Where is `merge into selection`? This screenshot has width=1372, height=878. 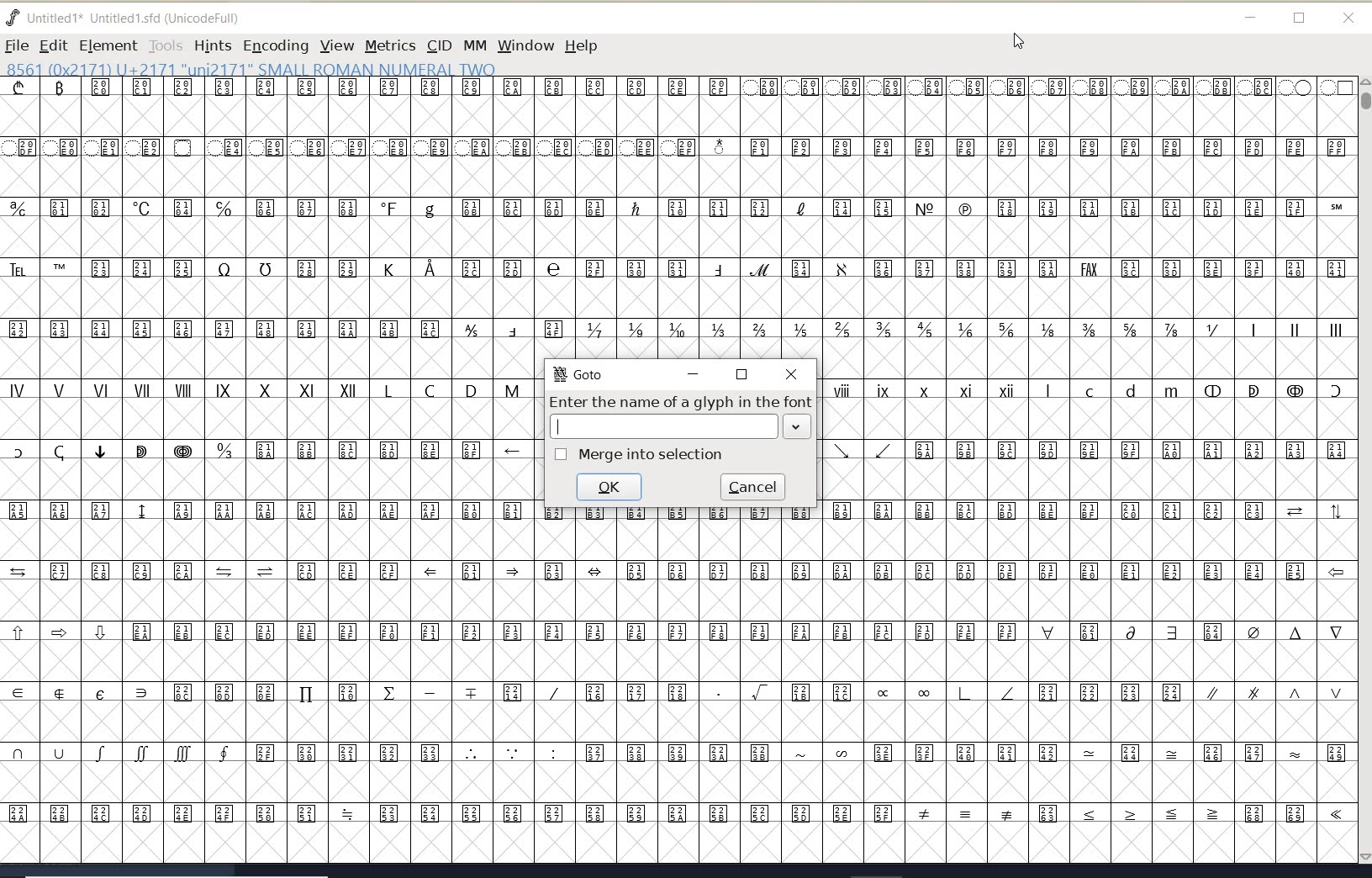 merge into selection is located at coordinates (638, 454).